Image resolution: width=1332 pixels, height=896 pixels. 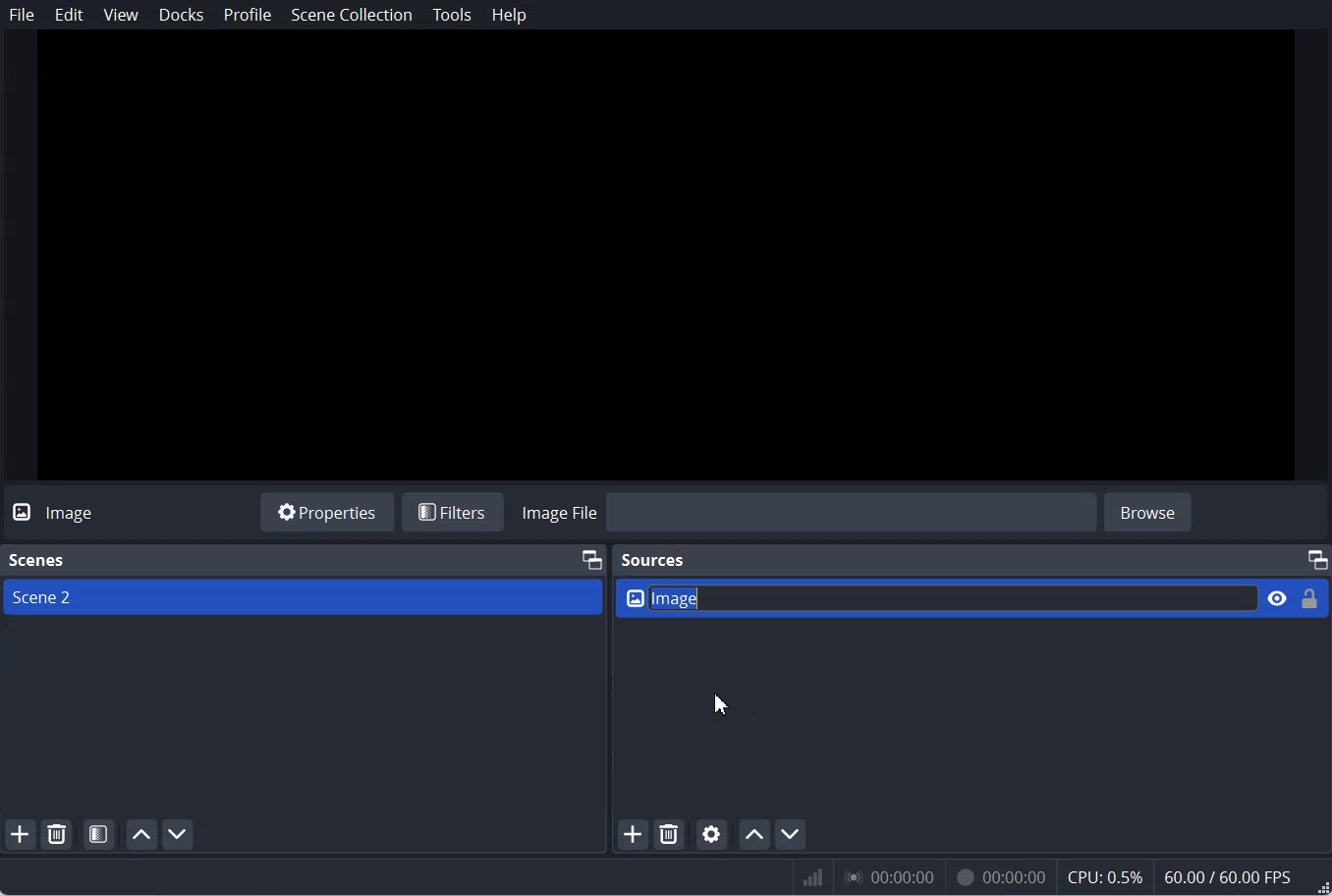 I want to click on Move source up, so click(x=754, y=834).